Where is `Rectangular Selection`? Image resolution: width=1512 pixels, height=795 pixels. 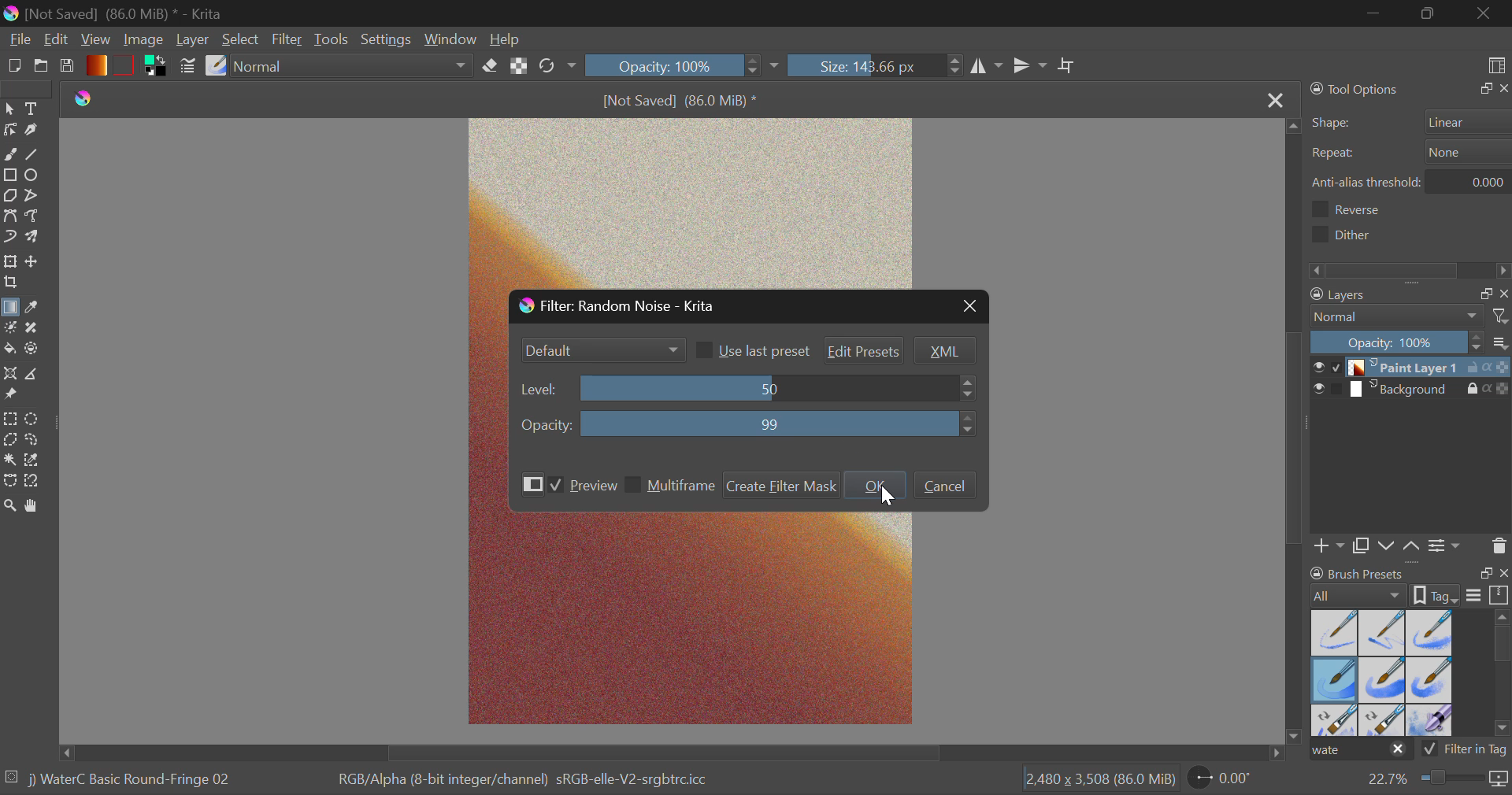
Rectangular Selection is located at coordinates (9, 420).